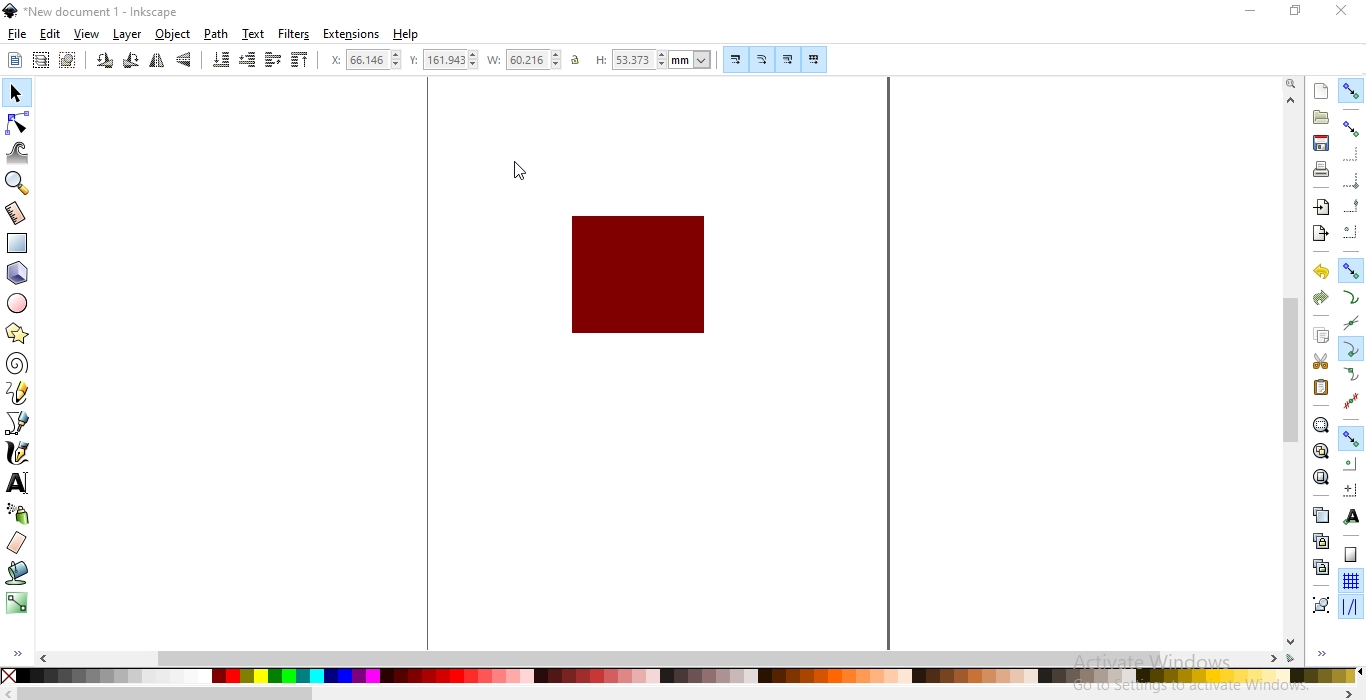 Image resolution: width=1366 pixels, height=700 pixels. Describe the element at coordinates (17, 514) in the screenshot. I see `spray objects by sculpting or painting` at that location.